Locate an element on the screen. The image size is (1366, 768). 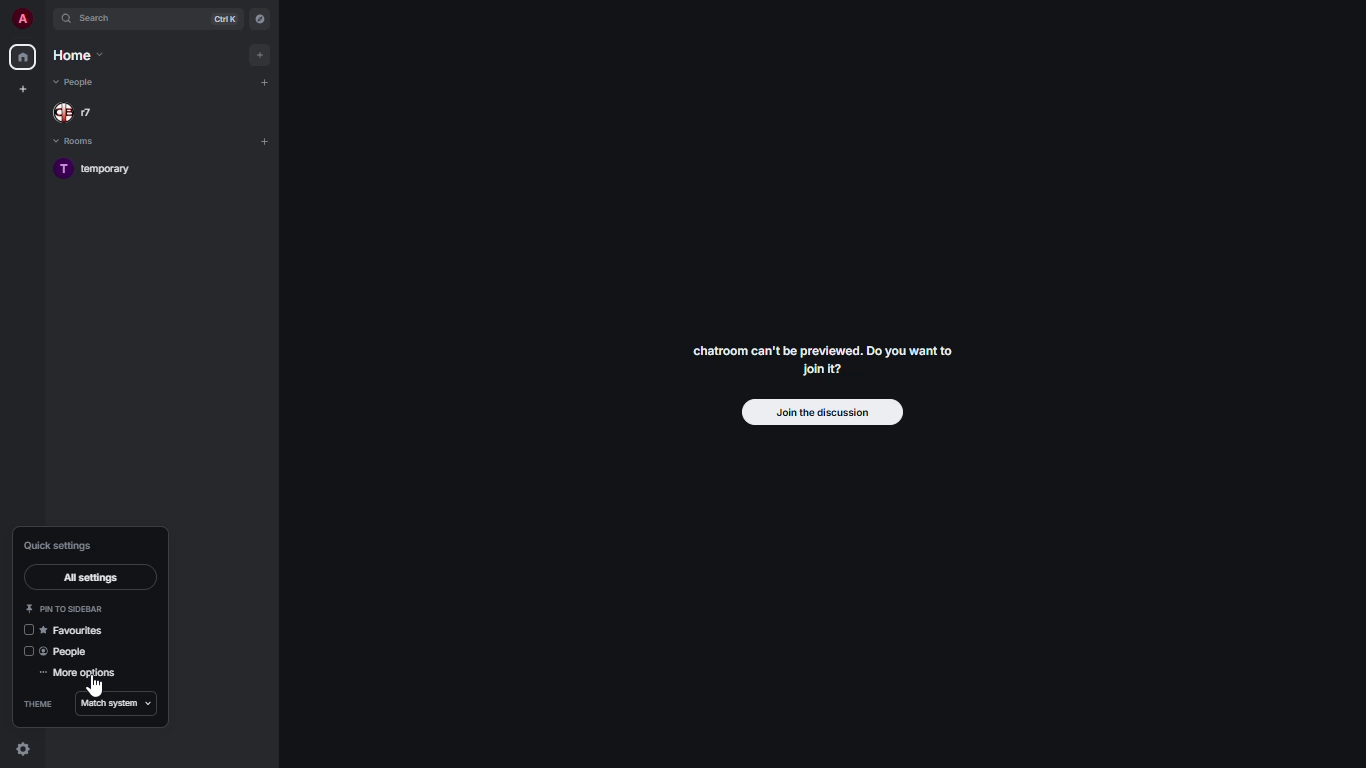
pin to sidebar is located at coordinates (67, 608).